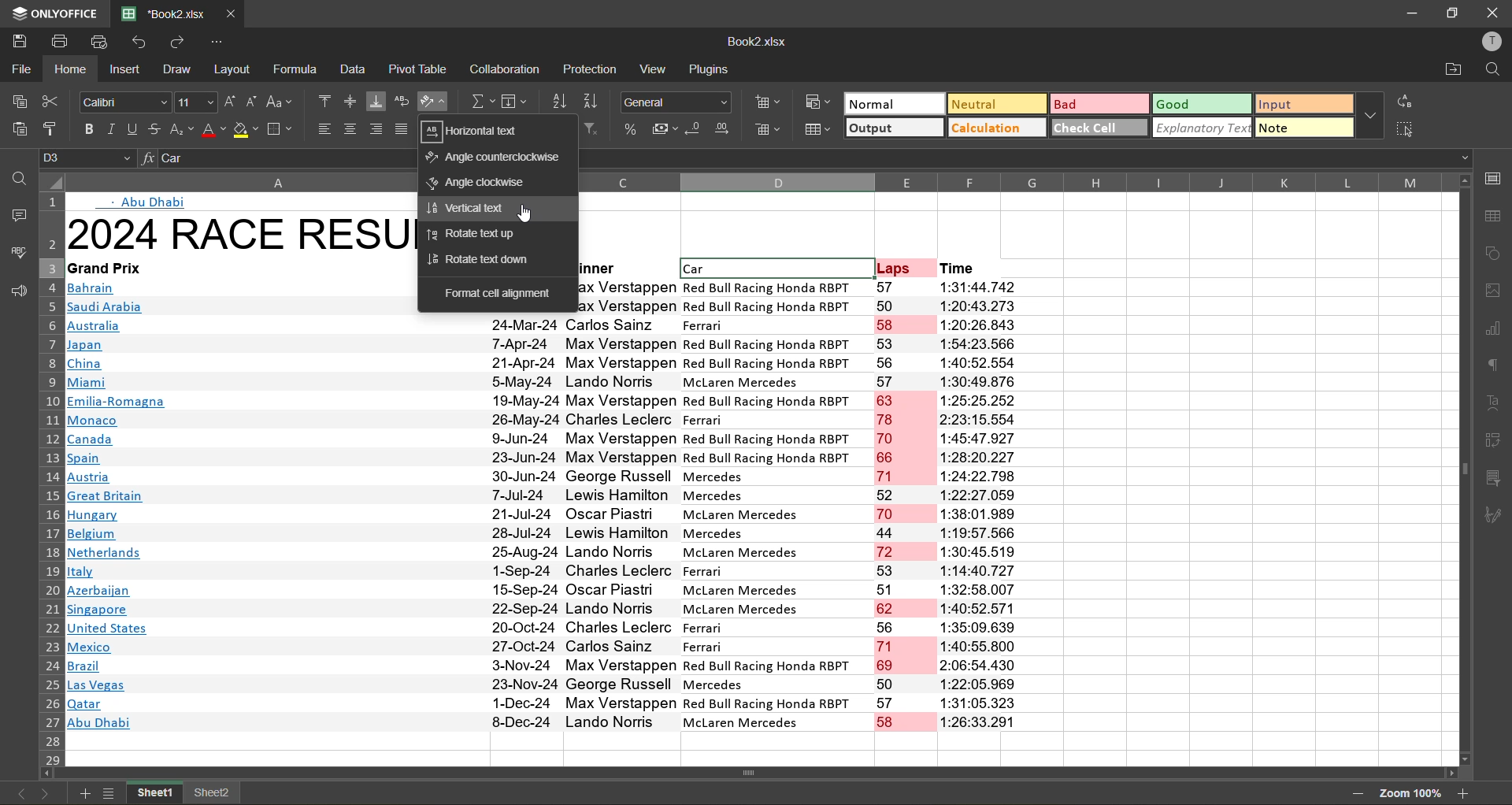 This screenshot has height=805, width=1512. What do you see at coordinates (60, 43) in the screenshot?
I see `print` at bounding box center [60, 43].